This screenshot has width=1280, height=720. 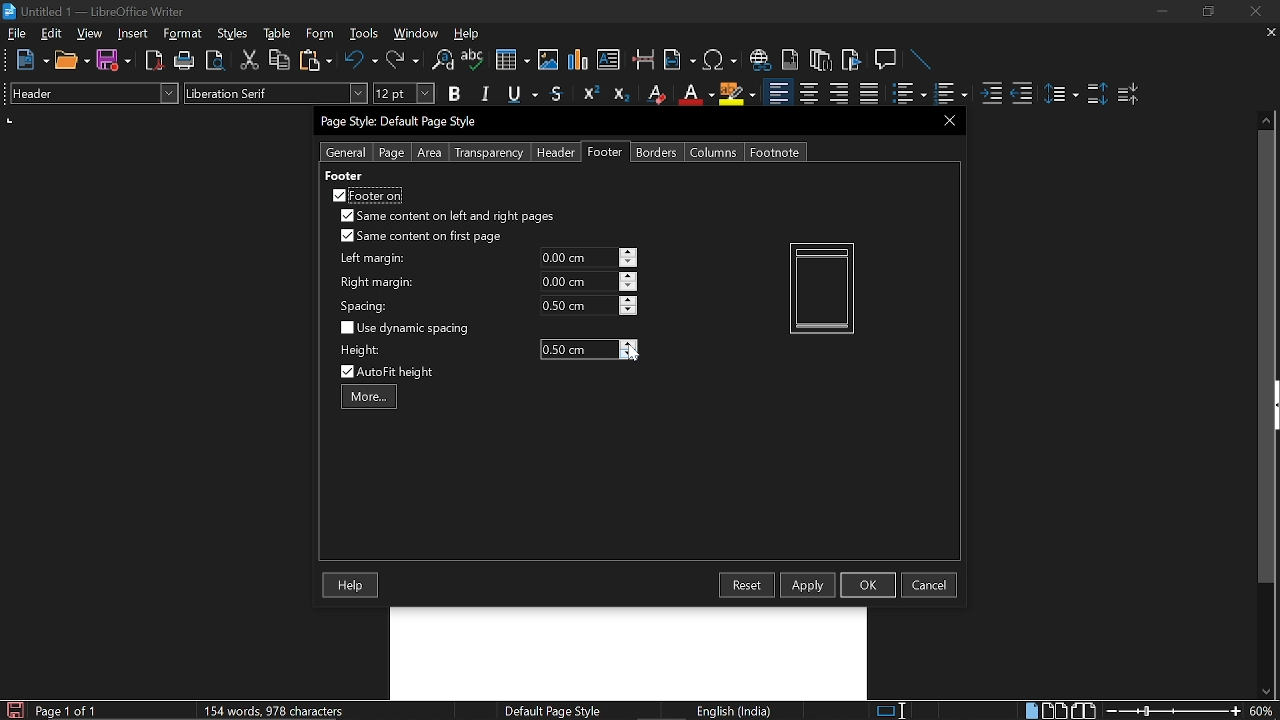 I want to click on Word count, so click(x=295, y=710).